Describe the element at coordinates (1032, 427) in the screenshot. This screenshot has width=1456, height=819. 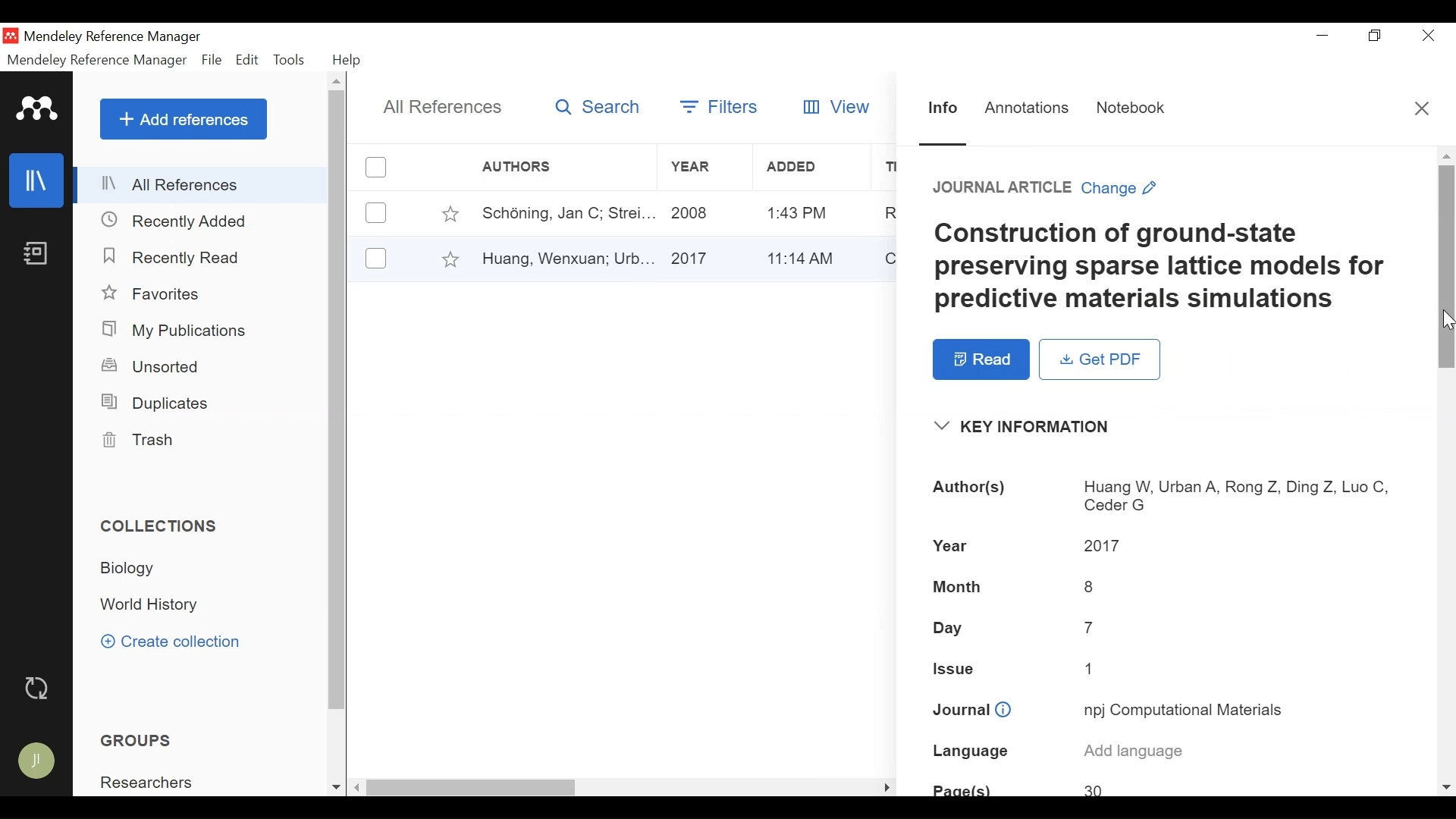
I see `Show/Hide Key Information` at that location.